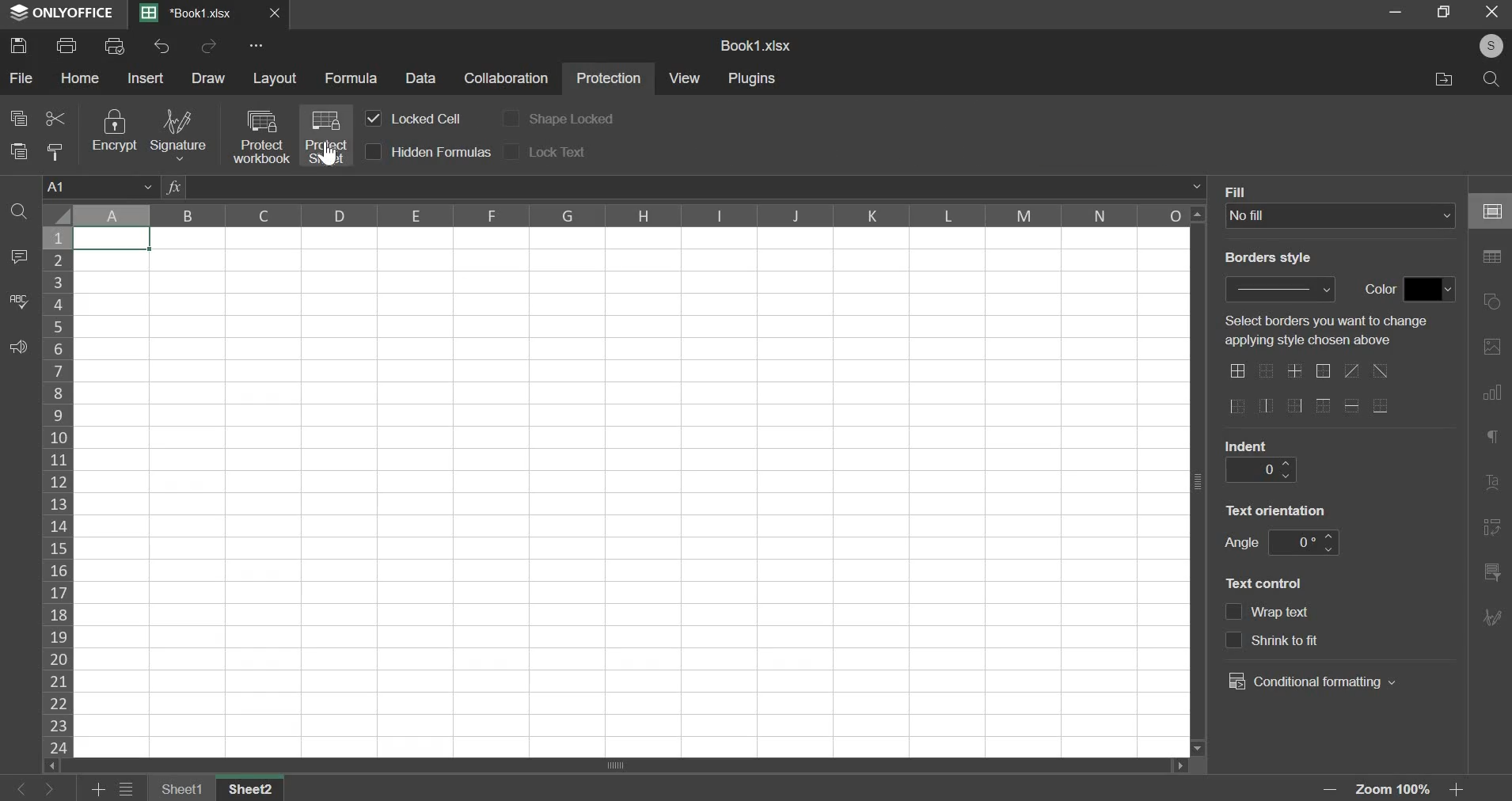 Image resolution: width=1512 pixels, height=801 pixels. What do you see at coordinates (1324, 407) in the screenshot?
I see `border options` at bounding box center [1324, 407].